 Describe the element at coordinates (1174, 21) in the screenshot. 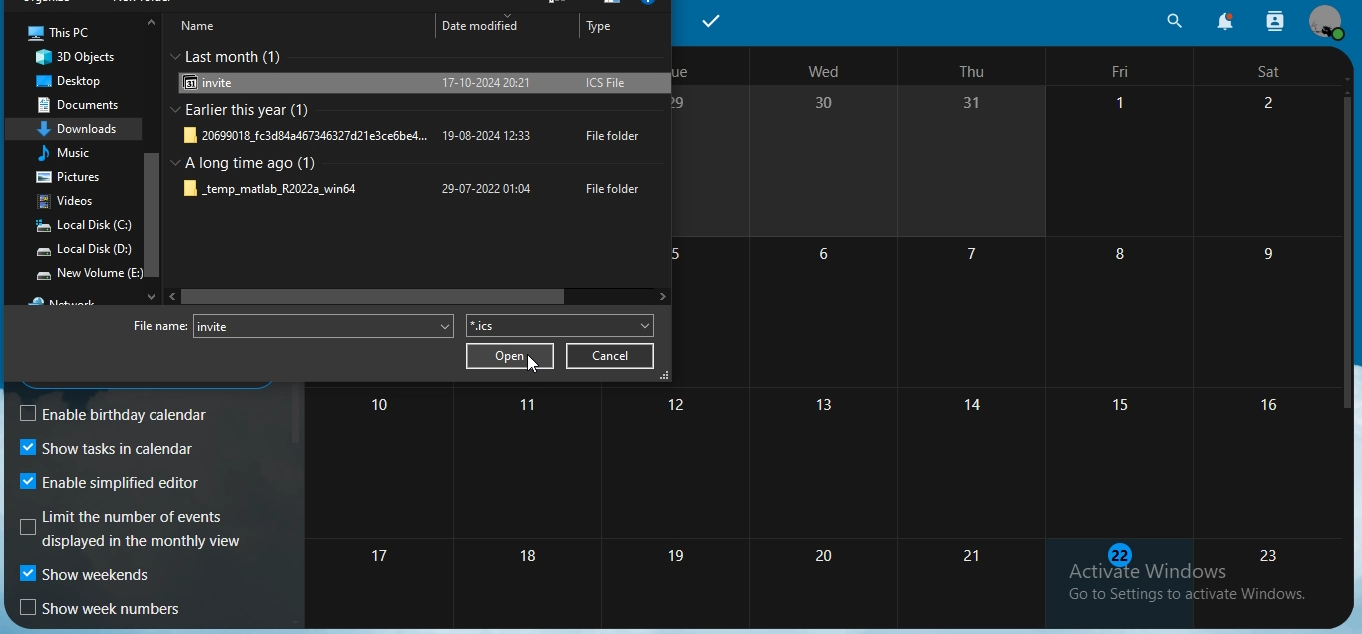

I see `search` at that location.